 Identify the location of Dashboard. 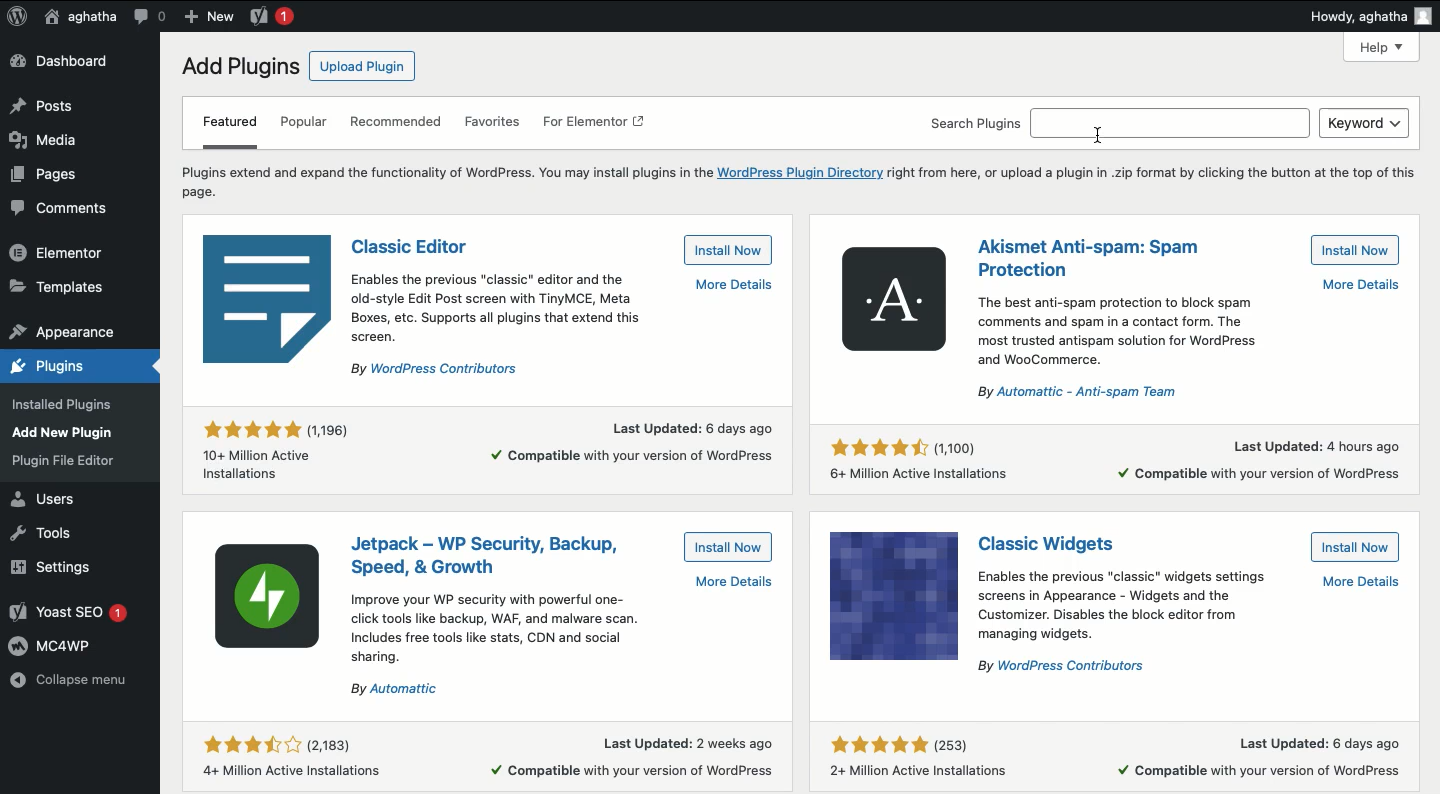
(61, 62).